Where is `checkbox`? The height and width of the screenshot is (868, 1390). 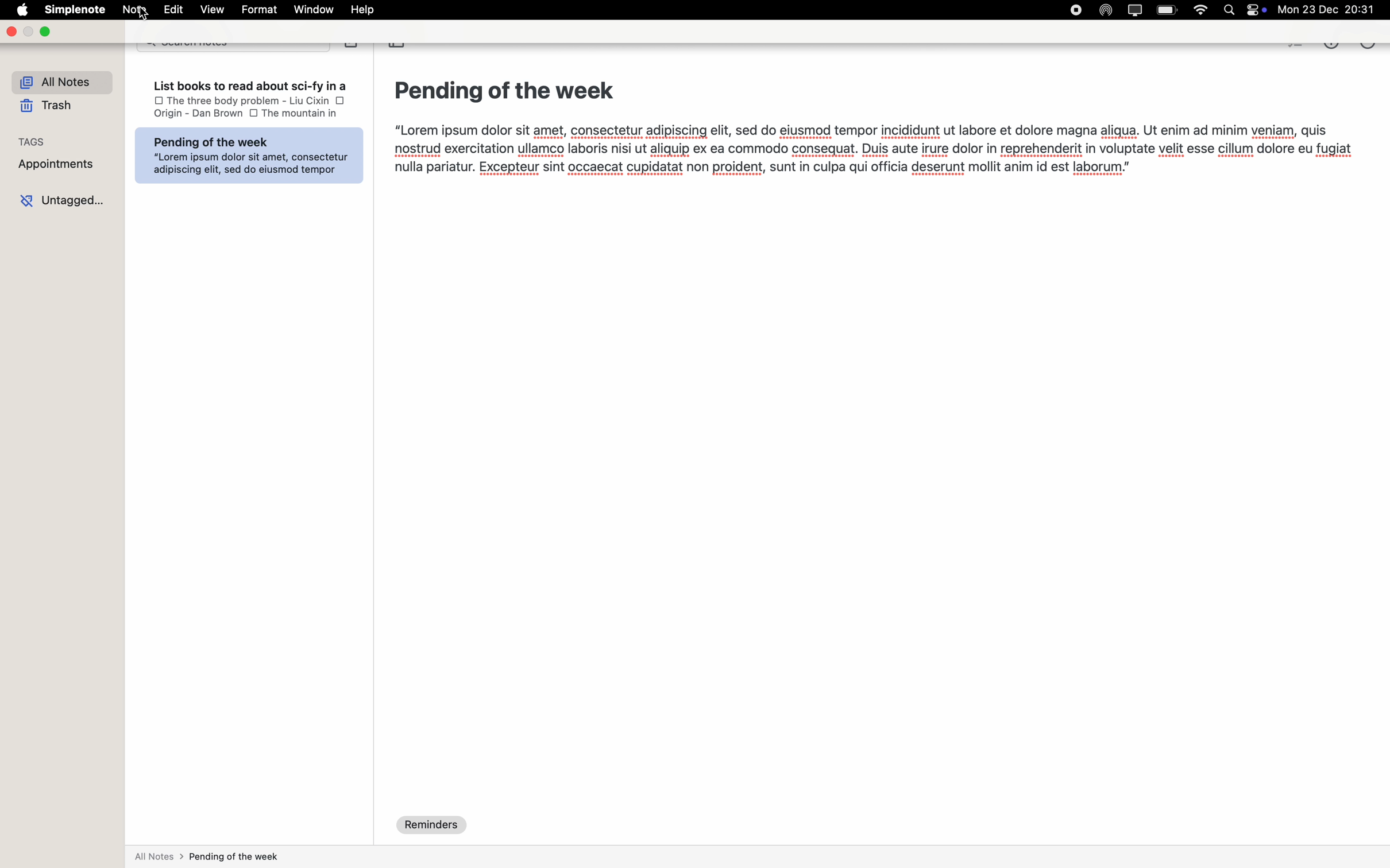
checkbox is located at coordinates (153, 101).